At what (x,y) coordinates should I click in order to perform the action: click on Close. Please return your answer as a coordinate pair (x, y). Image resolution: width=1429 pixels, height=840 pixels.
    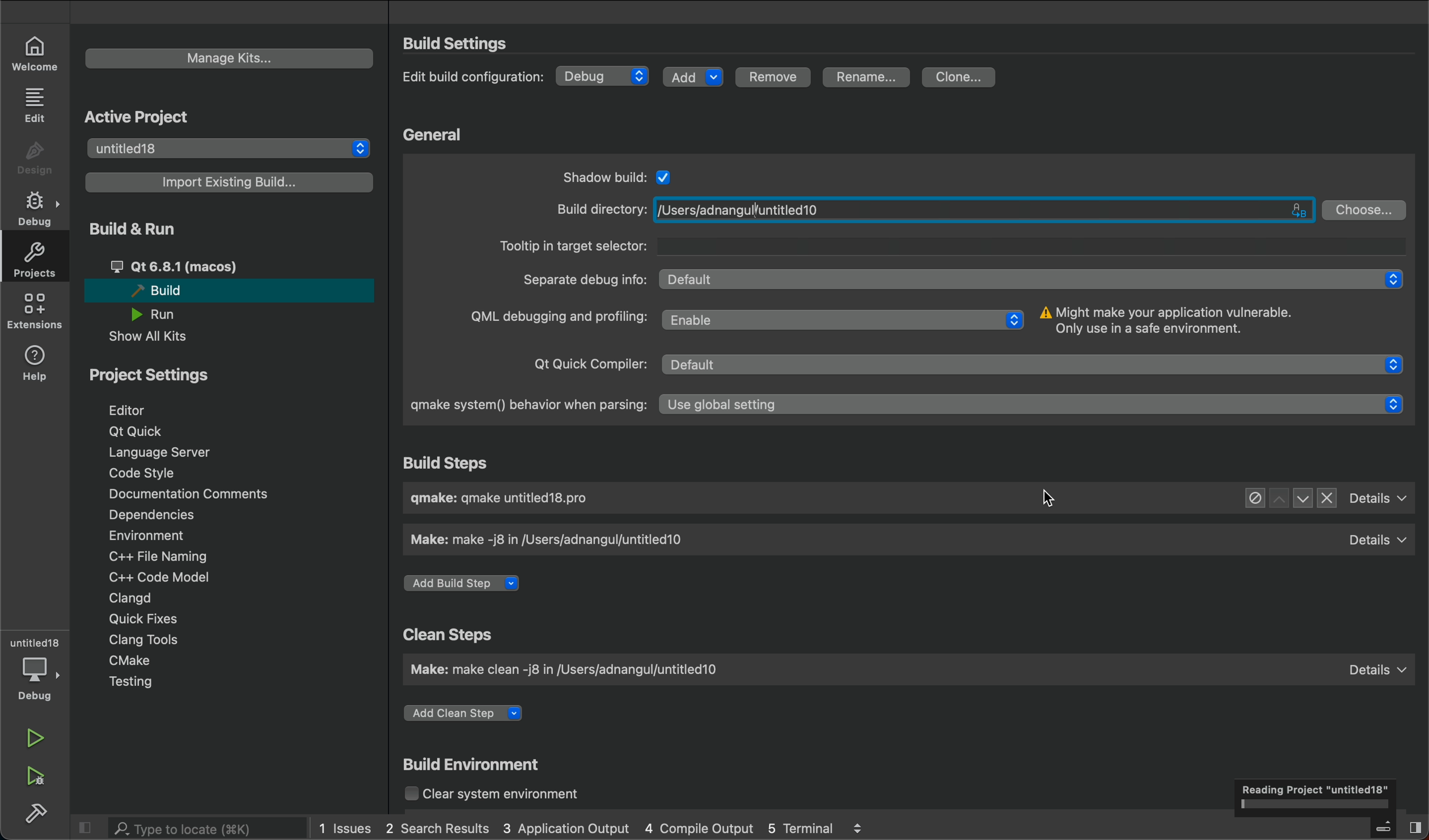
    Looking at the image, I should click on (1327, 499).